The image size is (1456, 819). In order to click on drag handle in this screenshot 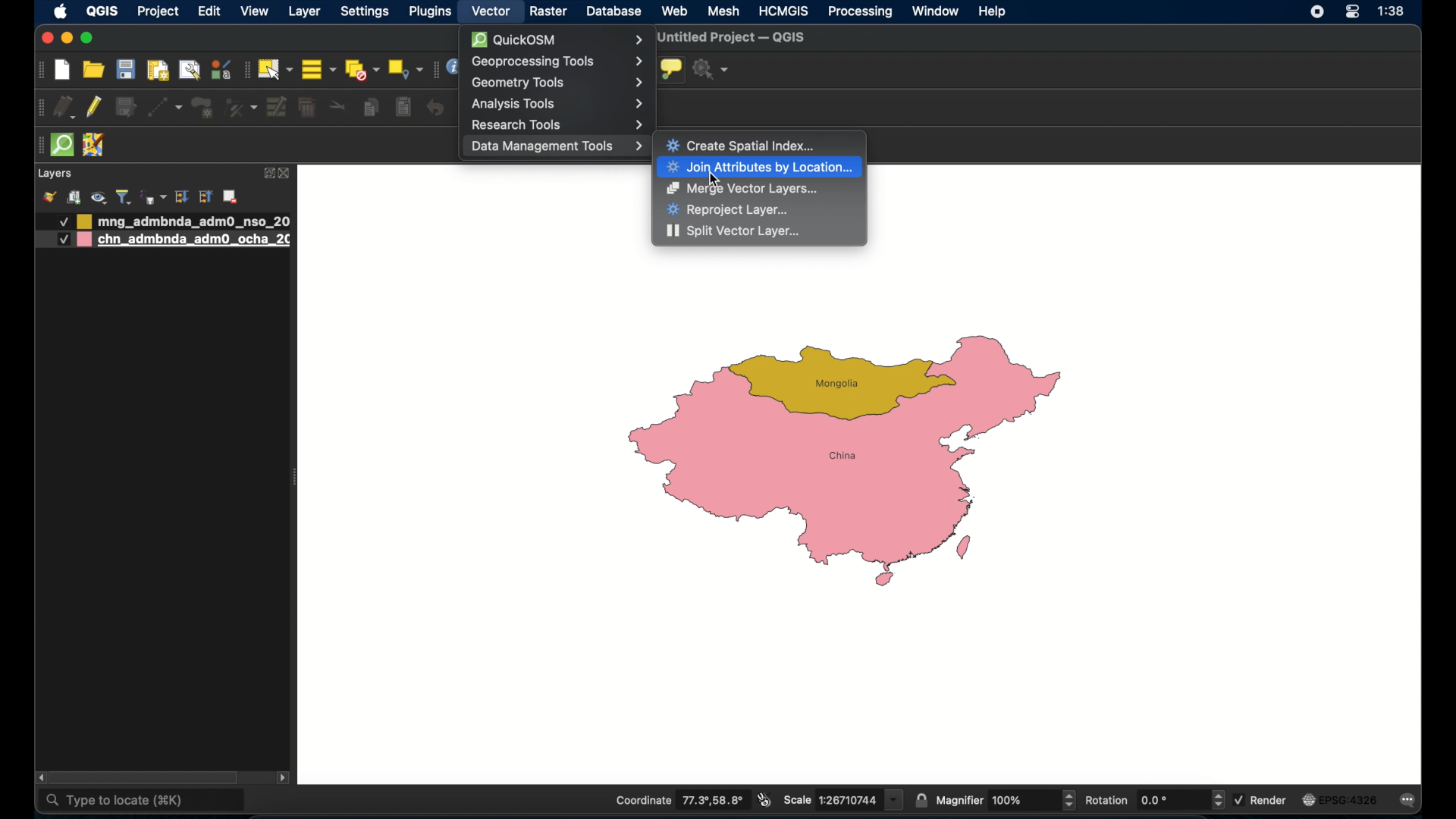, I will do `click(39, 144)`.